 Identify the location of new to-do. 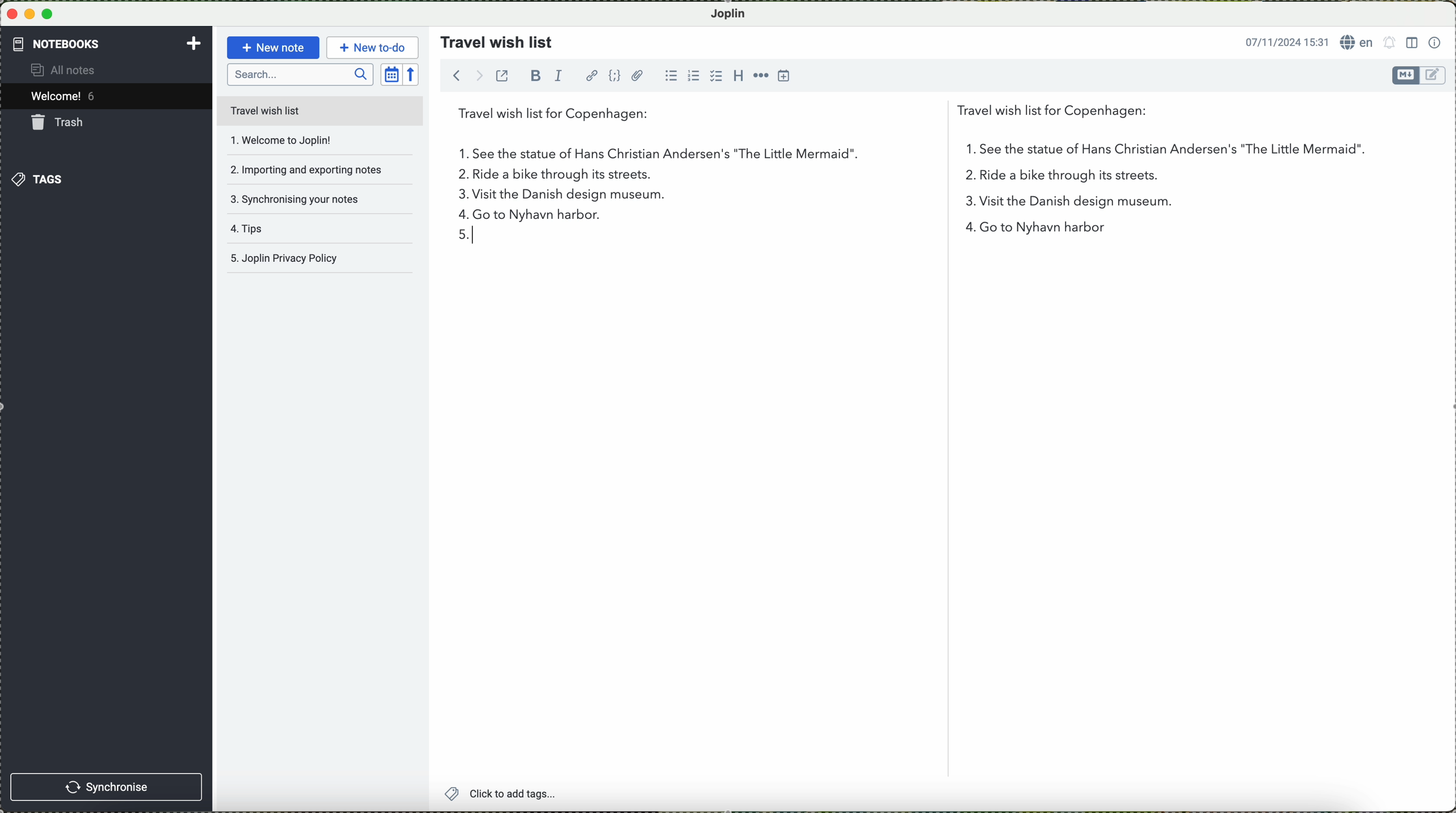
(372, 46).